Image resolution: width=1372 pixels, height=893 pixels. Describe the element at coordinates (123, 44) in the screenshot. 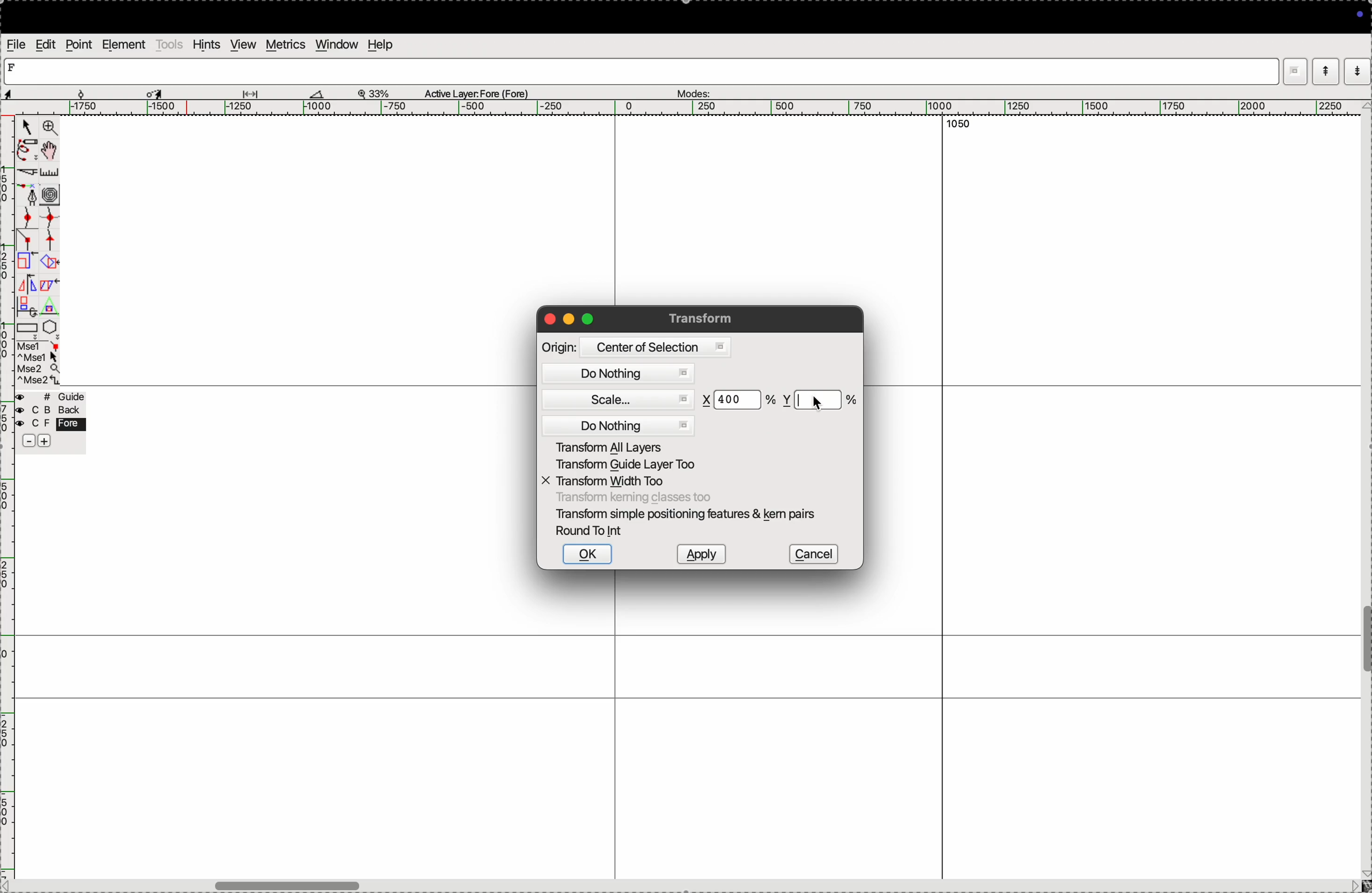

I see `element` at that location.